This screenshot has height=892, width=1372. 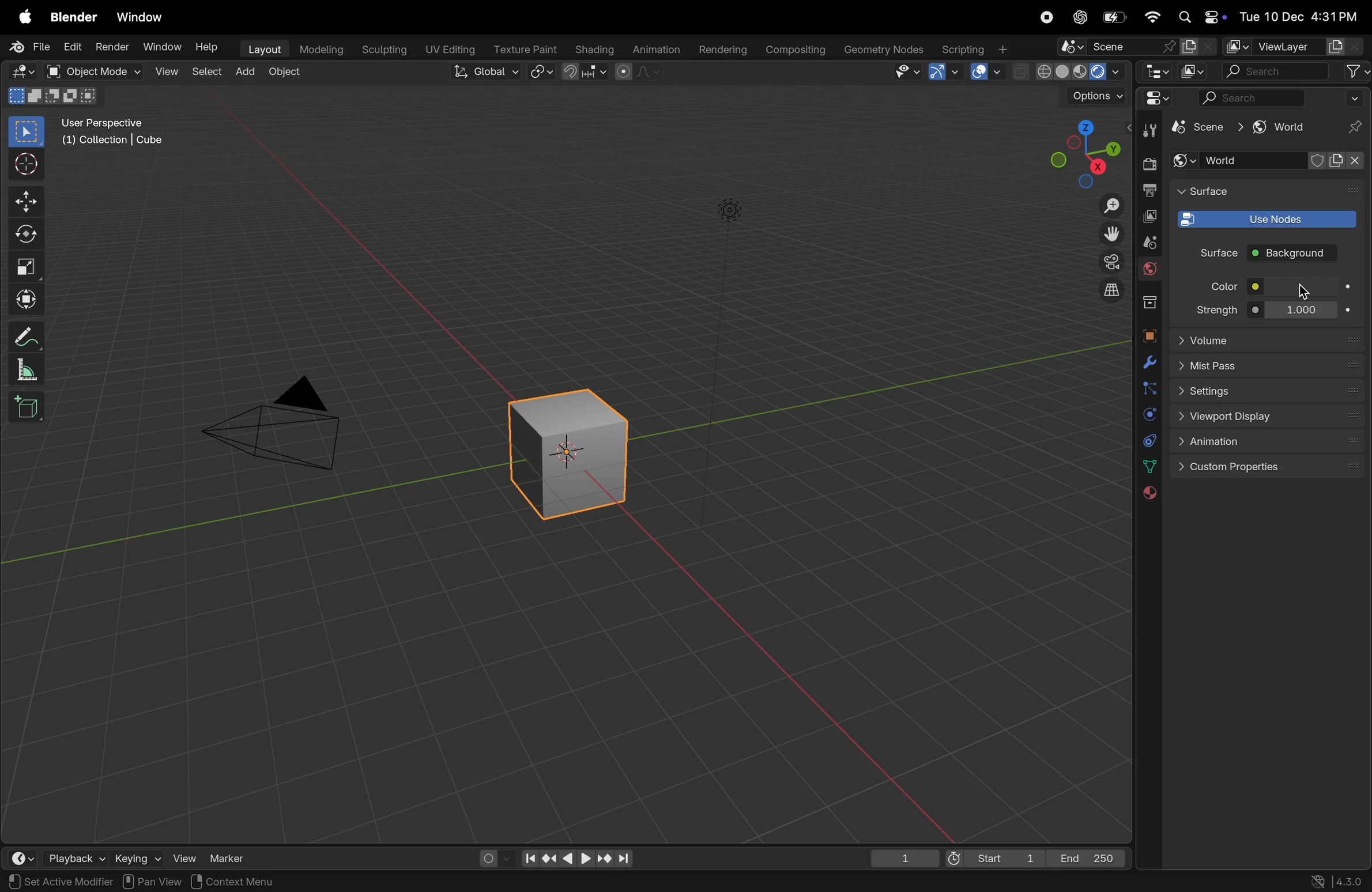 I want to click on show gimzo, so click(x=947, y=72).